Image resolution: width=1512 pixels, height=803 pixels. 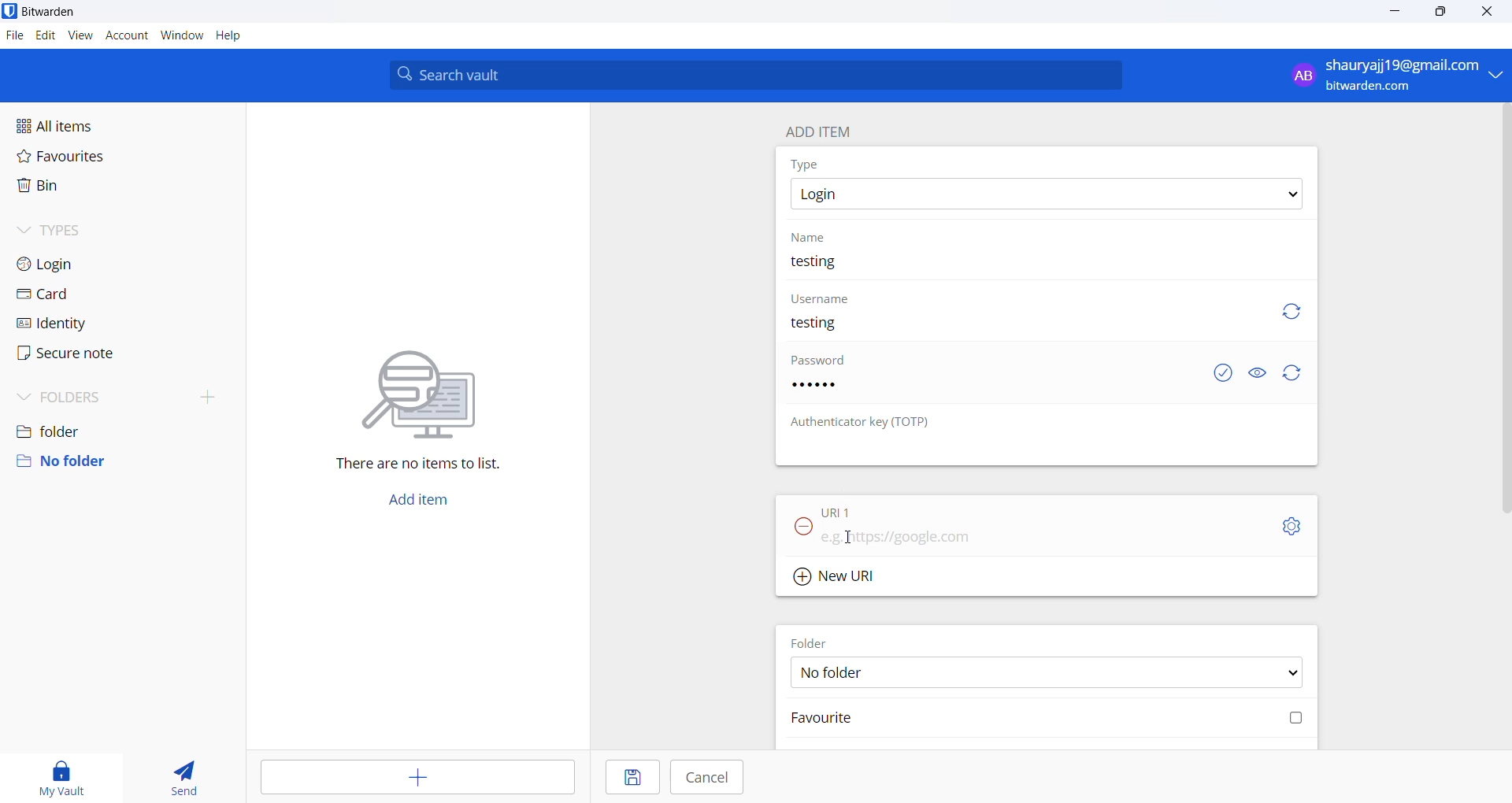 I want to click on exposed, so click(x=1223, y=371).